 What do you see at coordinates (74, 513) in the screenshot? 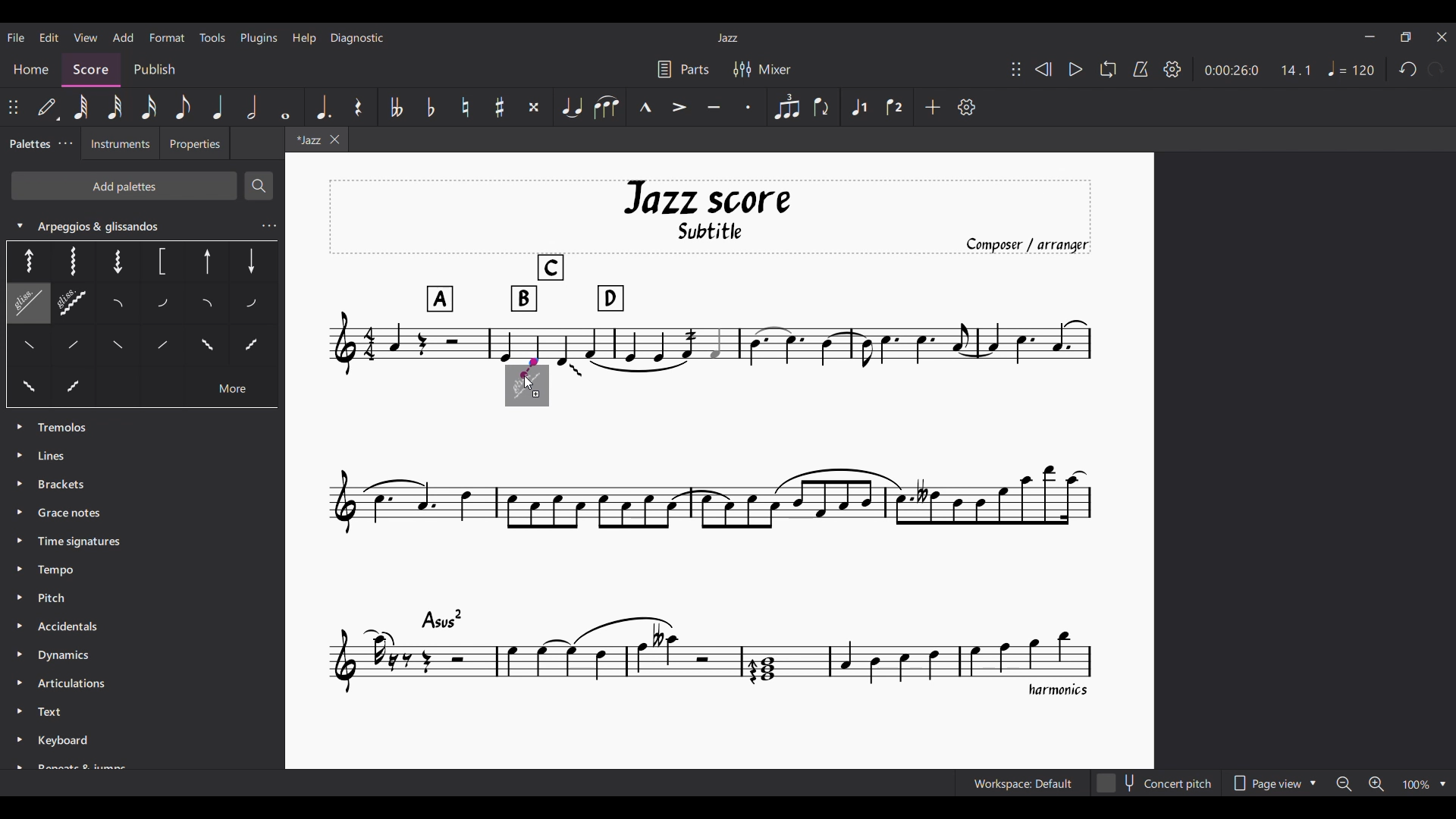
I see `Grace Note` at bounding box center [74, 513].